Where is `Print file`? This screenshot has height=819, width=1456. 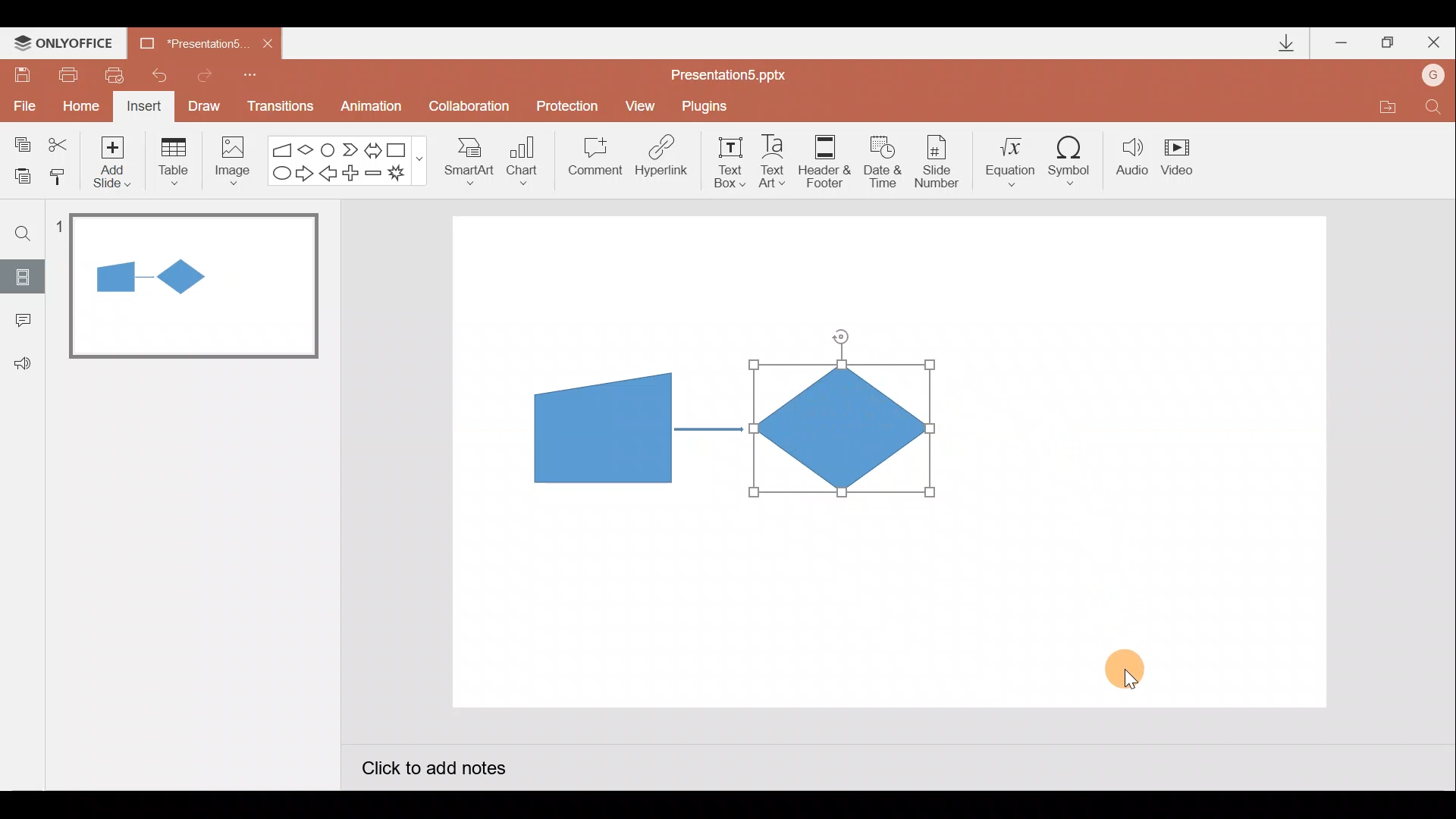
Print file is located at coordinates (65, 74).